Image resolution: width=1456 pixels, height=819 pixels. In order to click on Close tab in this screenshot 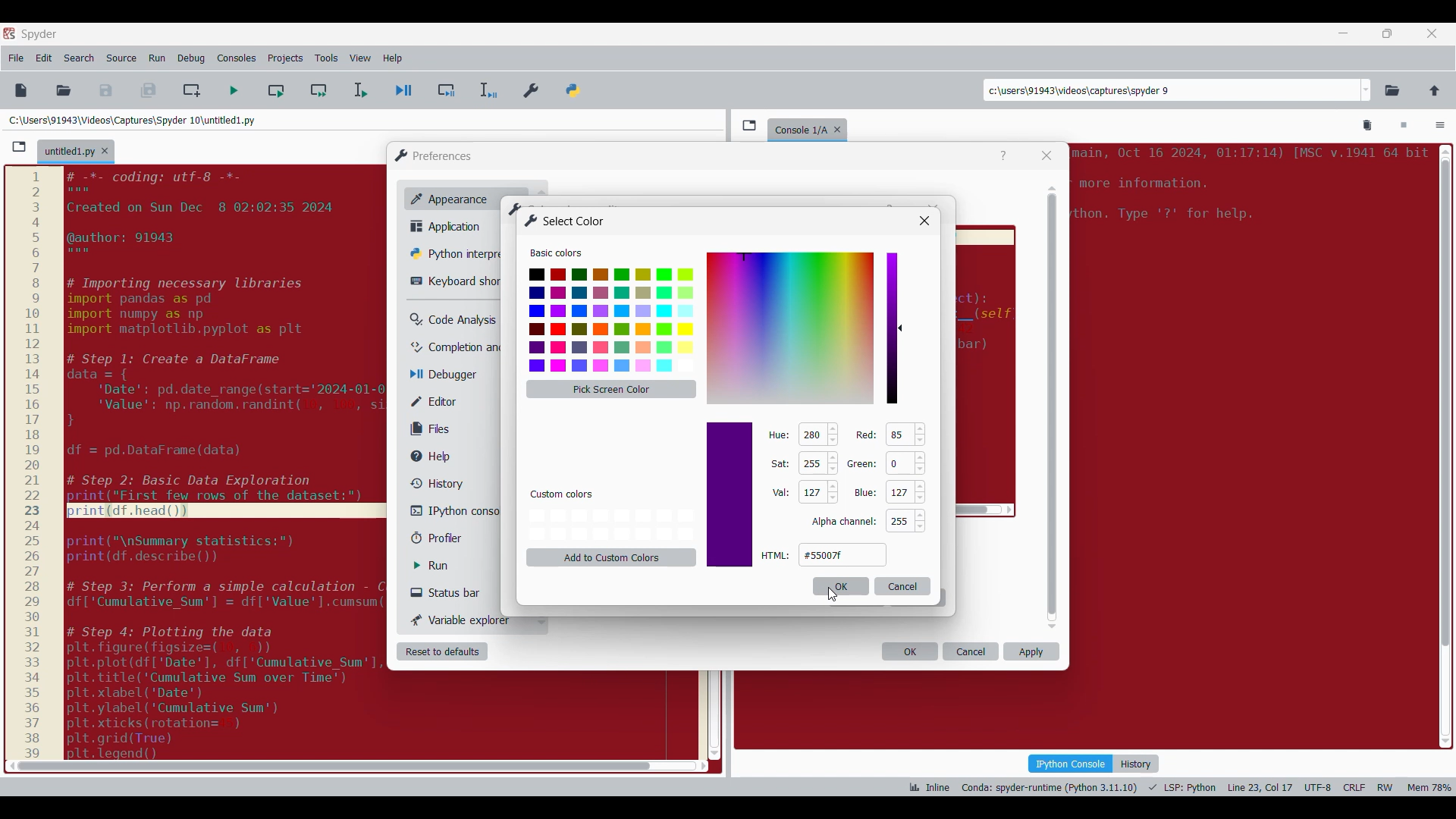, I will do `click(1432, 33)`.